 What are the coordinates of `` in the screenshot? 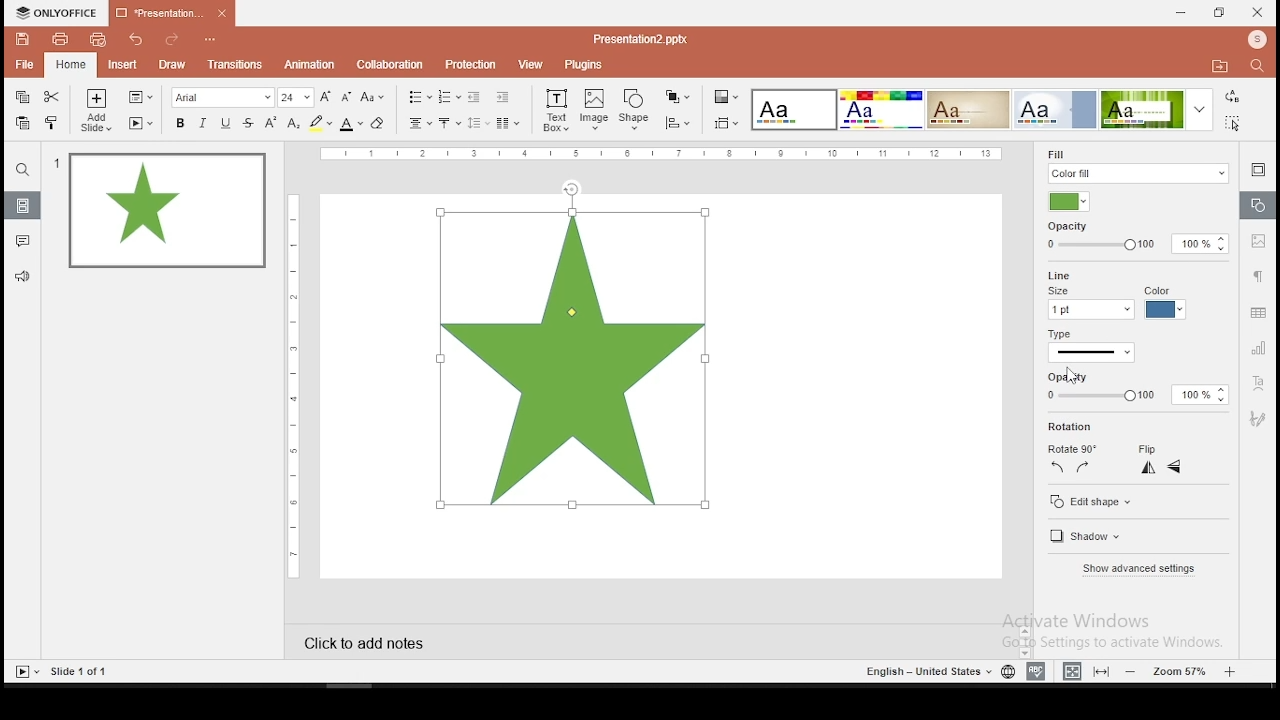 It's located at (1256, 419).